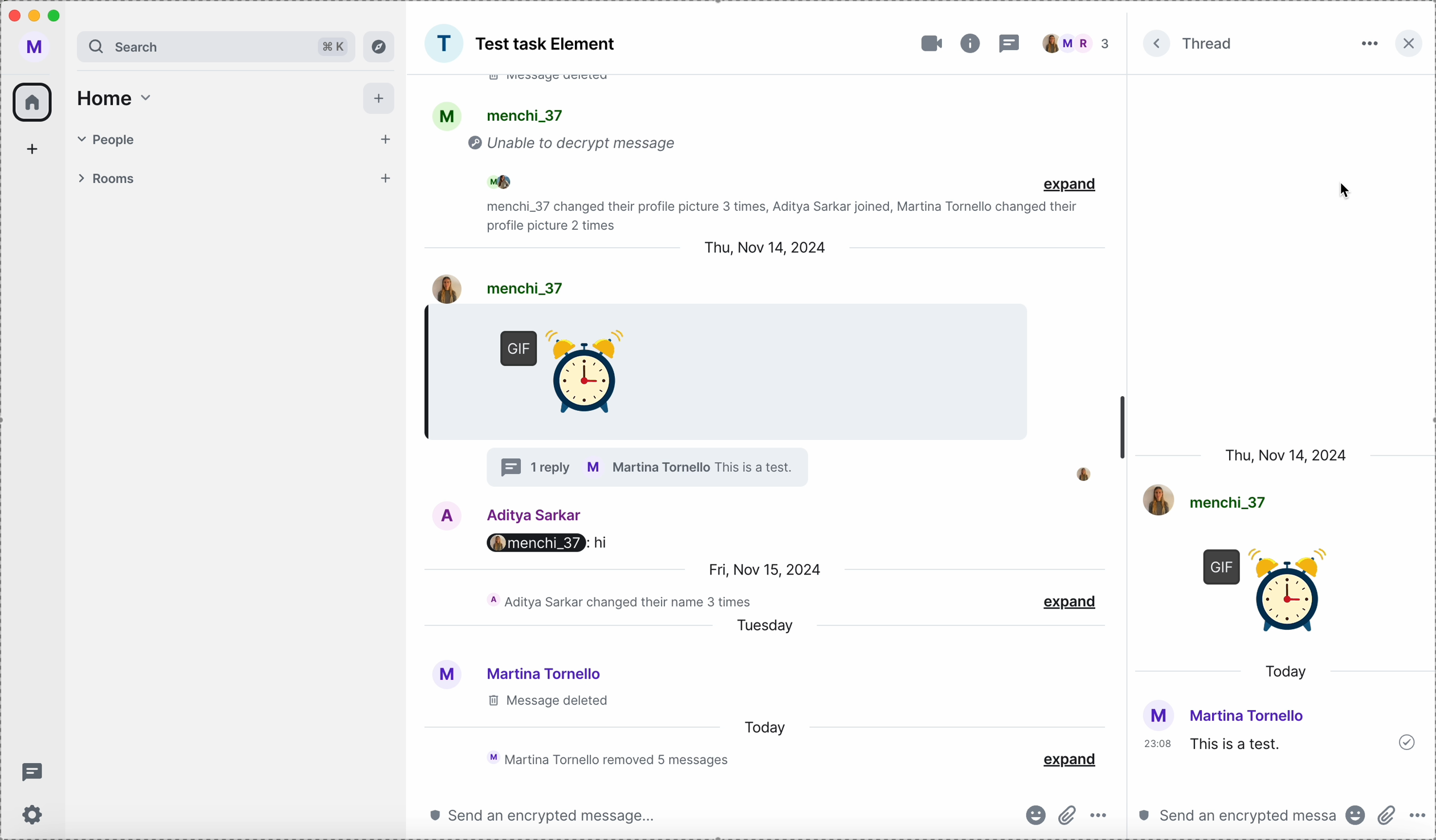  Describe the element at coordinates (1033, 815) in the screenshot. I see `emojis` at that location.